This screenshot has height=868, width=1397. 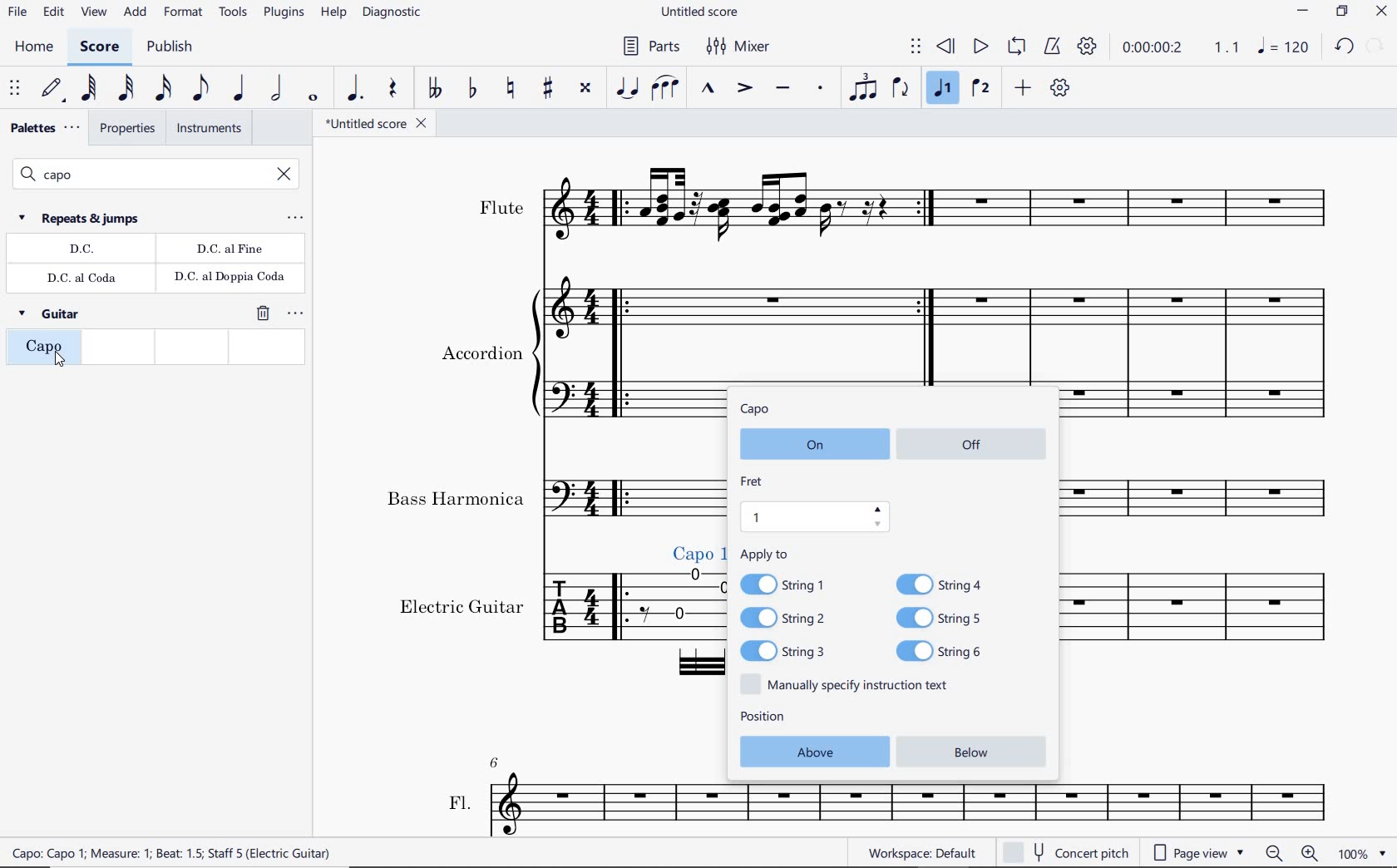 What do you see at coordinates (795, 619) in the screenshot?
I see `String 2 toggle` at bounding box center [795, 619].